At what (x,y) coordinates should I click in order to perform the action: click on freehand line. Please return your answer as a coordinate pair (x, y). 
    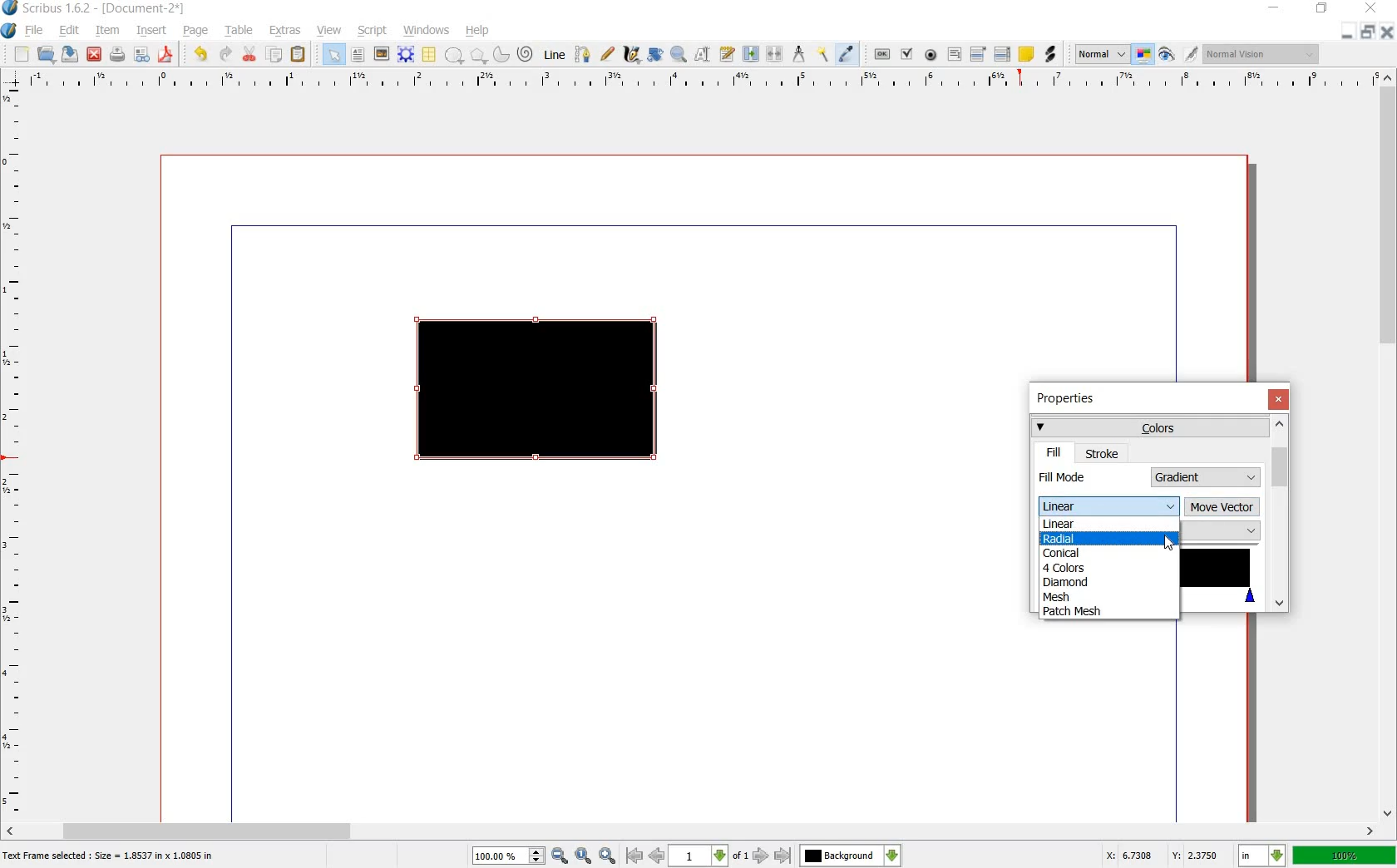
    Looking at the image, I should click on (607, 53).